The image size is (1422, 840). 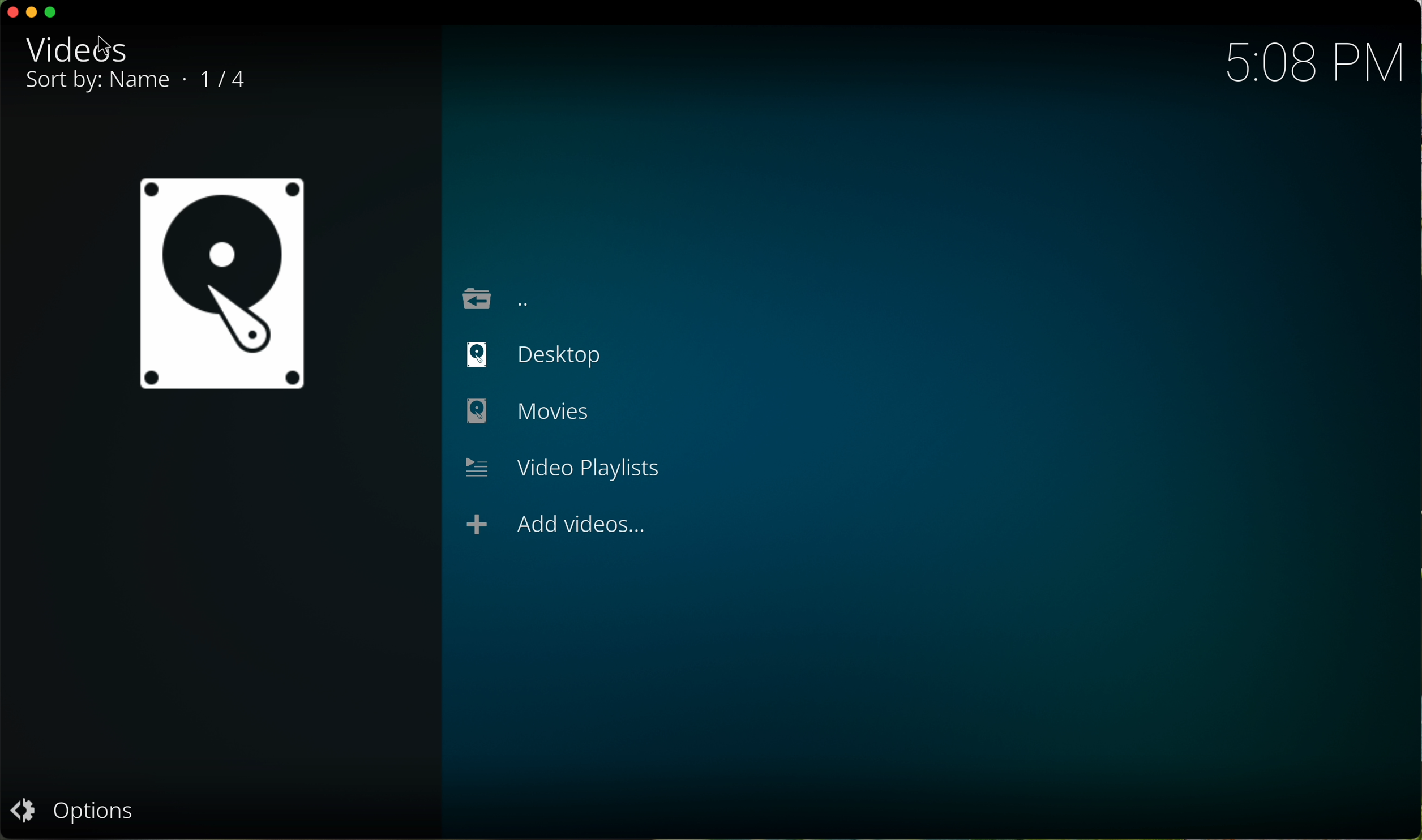 What do you see at coordinates (1314, 64) in the screenshot?
I see `5:08 PM` at bounding box center [1314, 64].